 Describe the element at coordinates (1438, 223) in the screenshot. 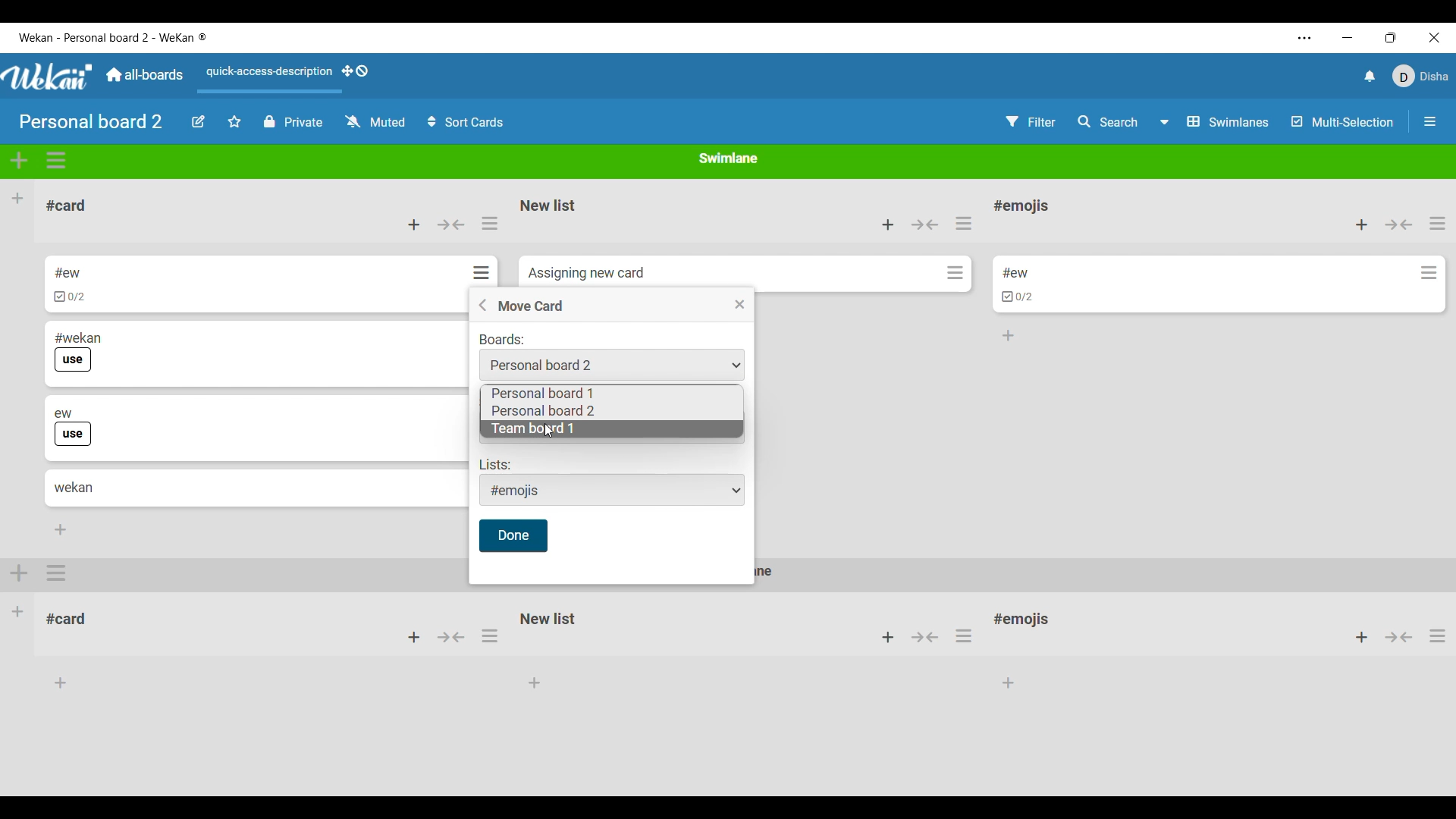

I see `List actions` at that location.